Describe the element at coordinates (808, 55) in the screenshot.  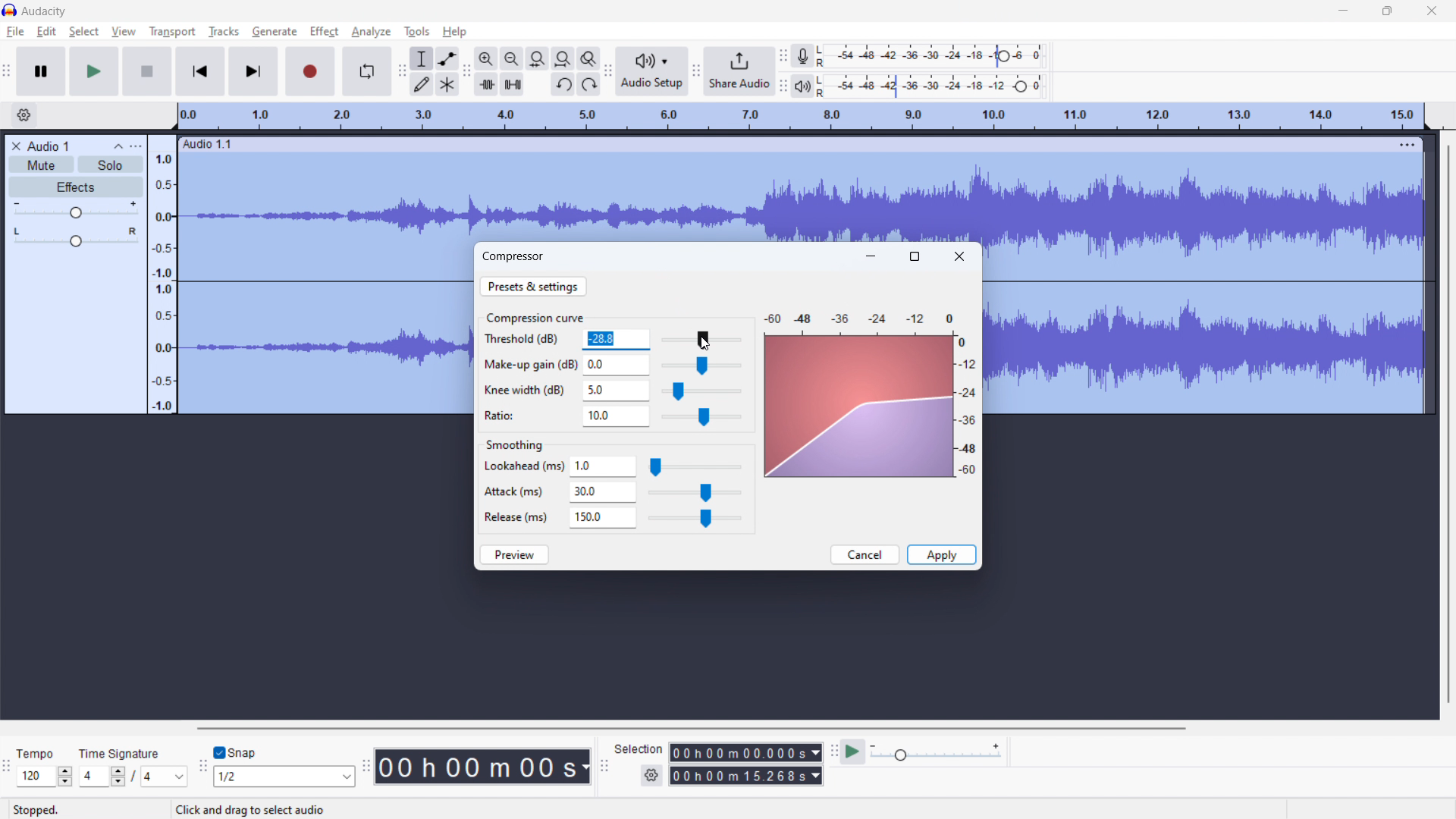
I see `recording meter` at that location.